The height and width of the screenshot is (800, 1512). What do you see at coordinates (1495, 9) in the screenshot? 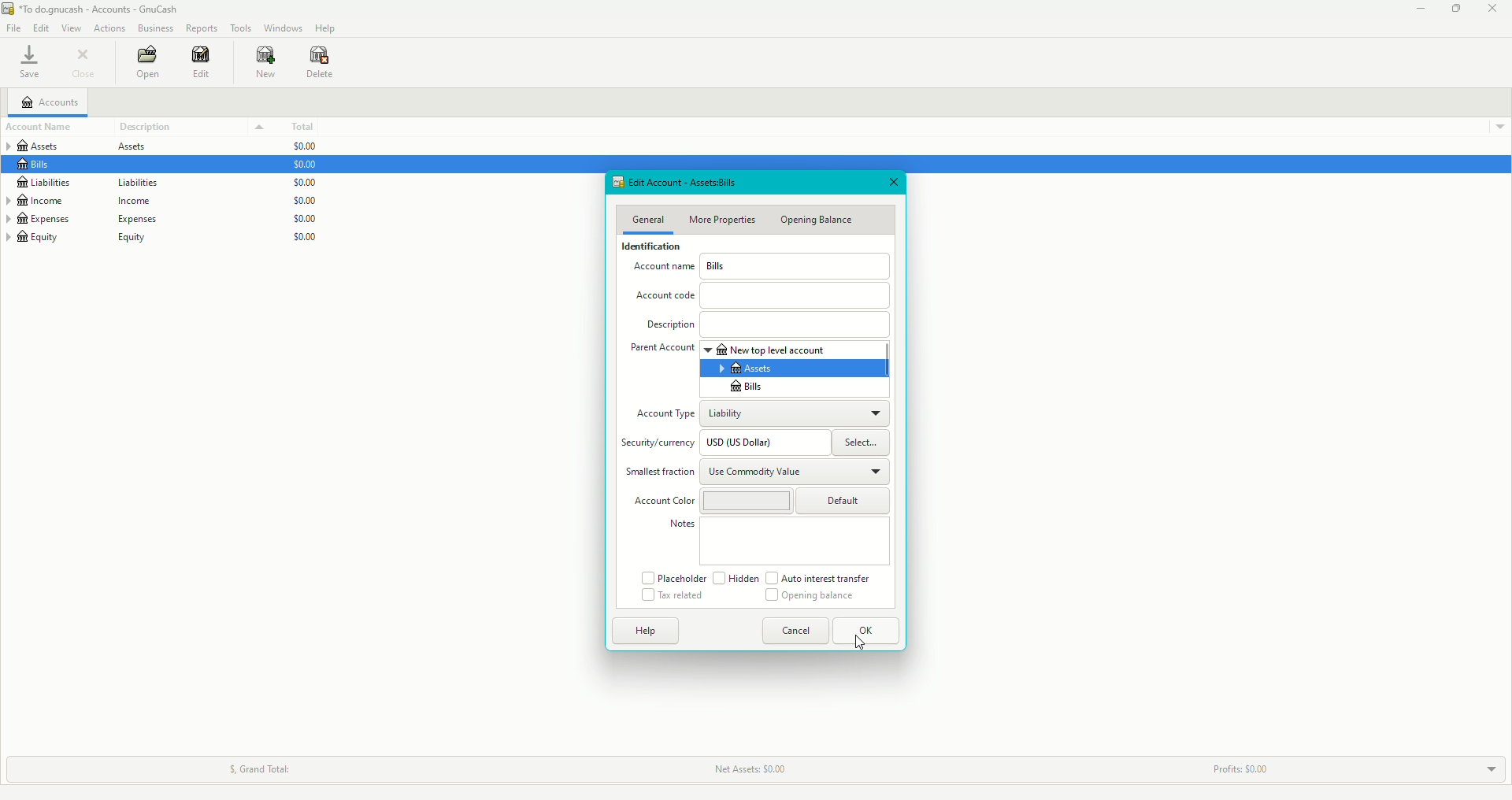
I see `Close` at bounding box center [1495, 9].